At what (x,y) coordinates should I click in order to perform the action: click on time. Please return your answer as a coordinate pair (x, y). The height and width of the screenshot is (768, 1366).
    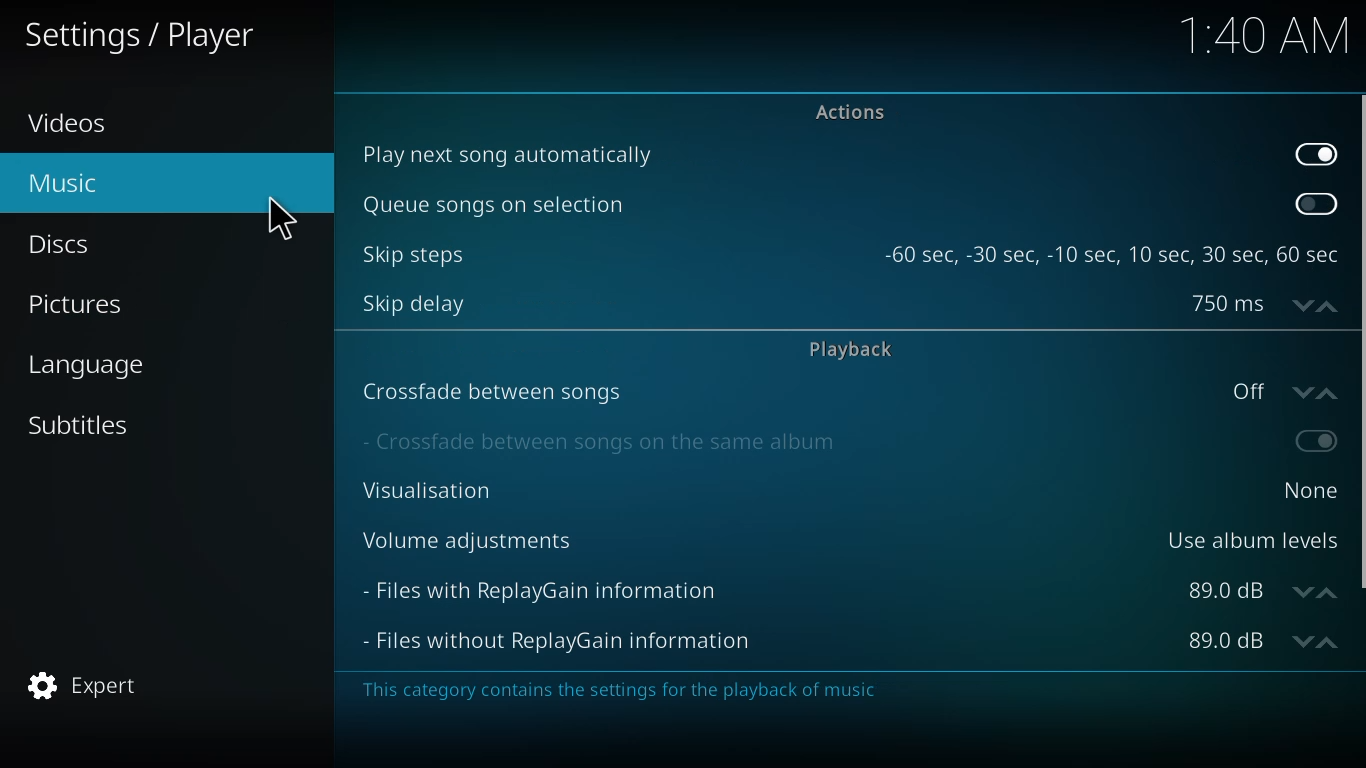
    Looking at the image, I should click on (1267, 34).